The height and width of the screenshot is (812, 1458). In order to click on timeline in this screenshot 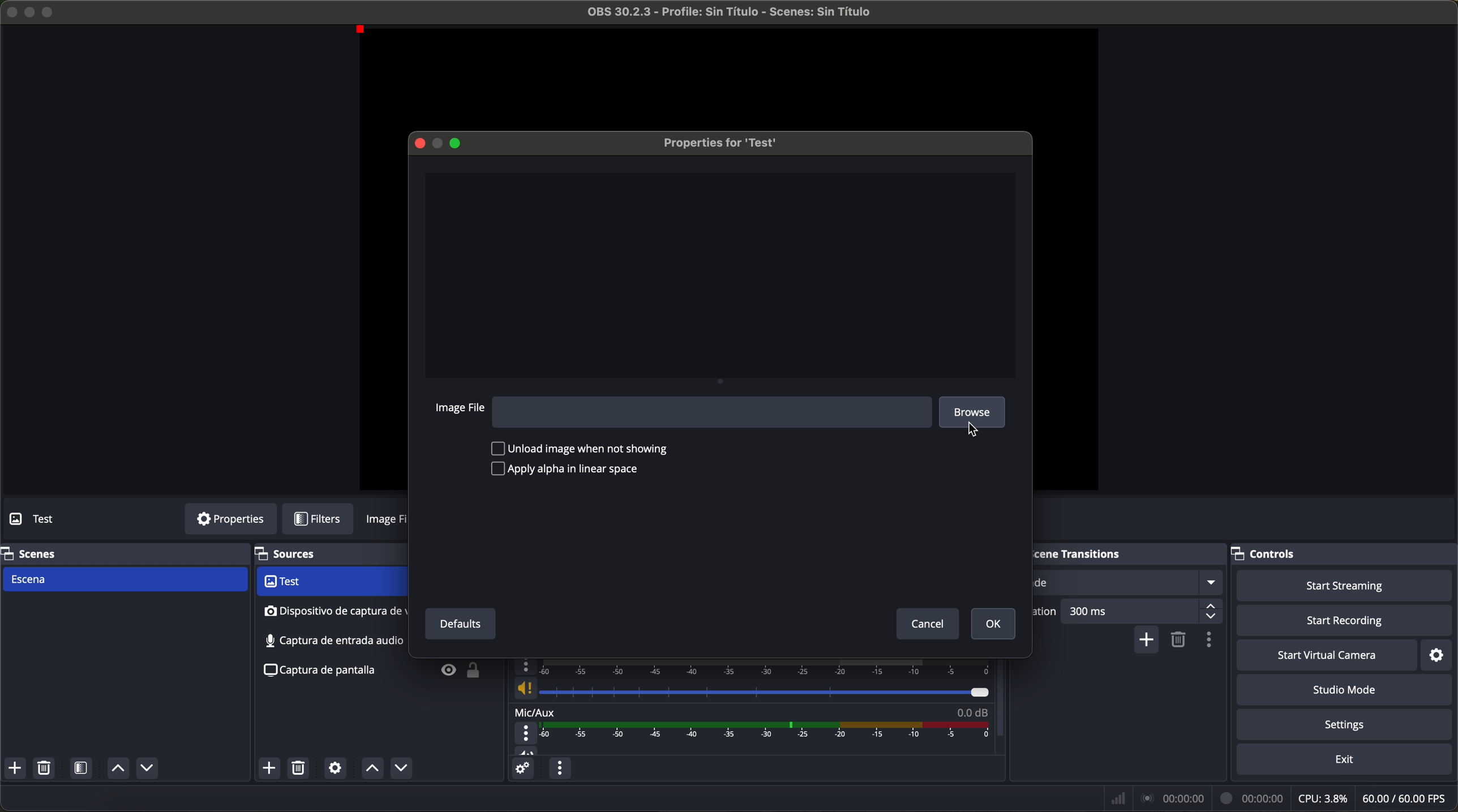, I will do `click(769, 731)`.